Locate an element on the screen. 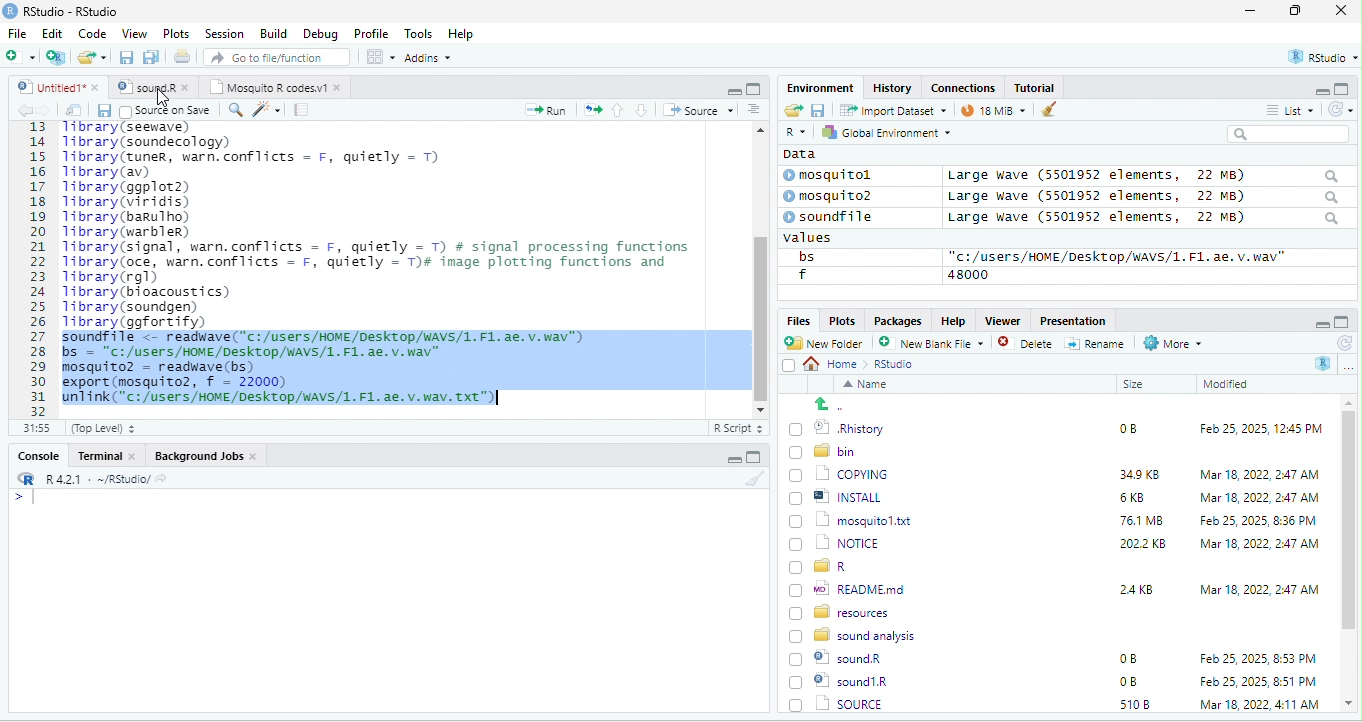  back is located at coordinates (28, 111).